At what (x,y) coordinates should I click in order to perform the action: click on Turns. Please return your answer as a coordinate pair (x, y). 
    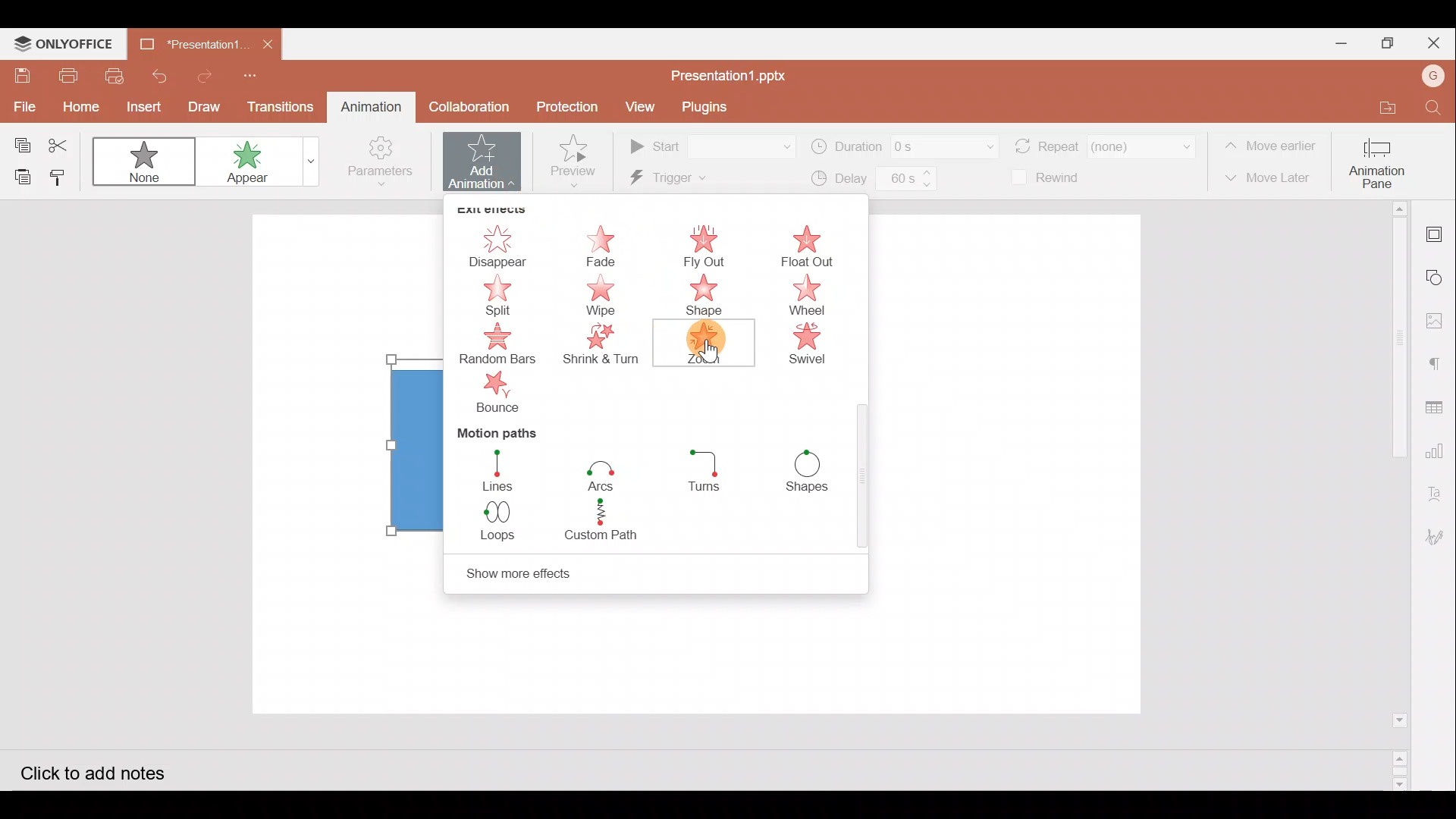
    Looking at the image, I should click on (708, 475).